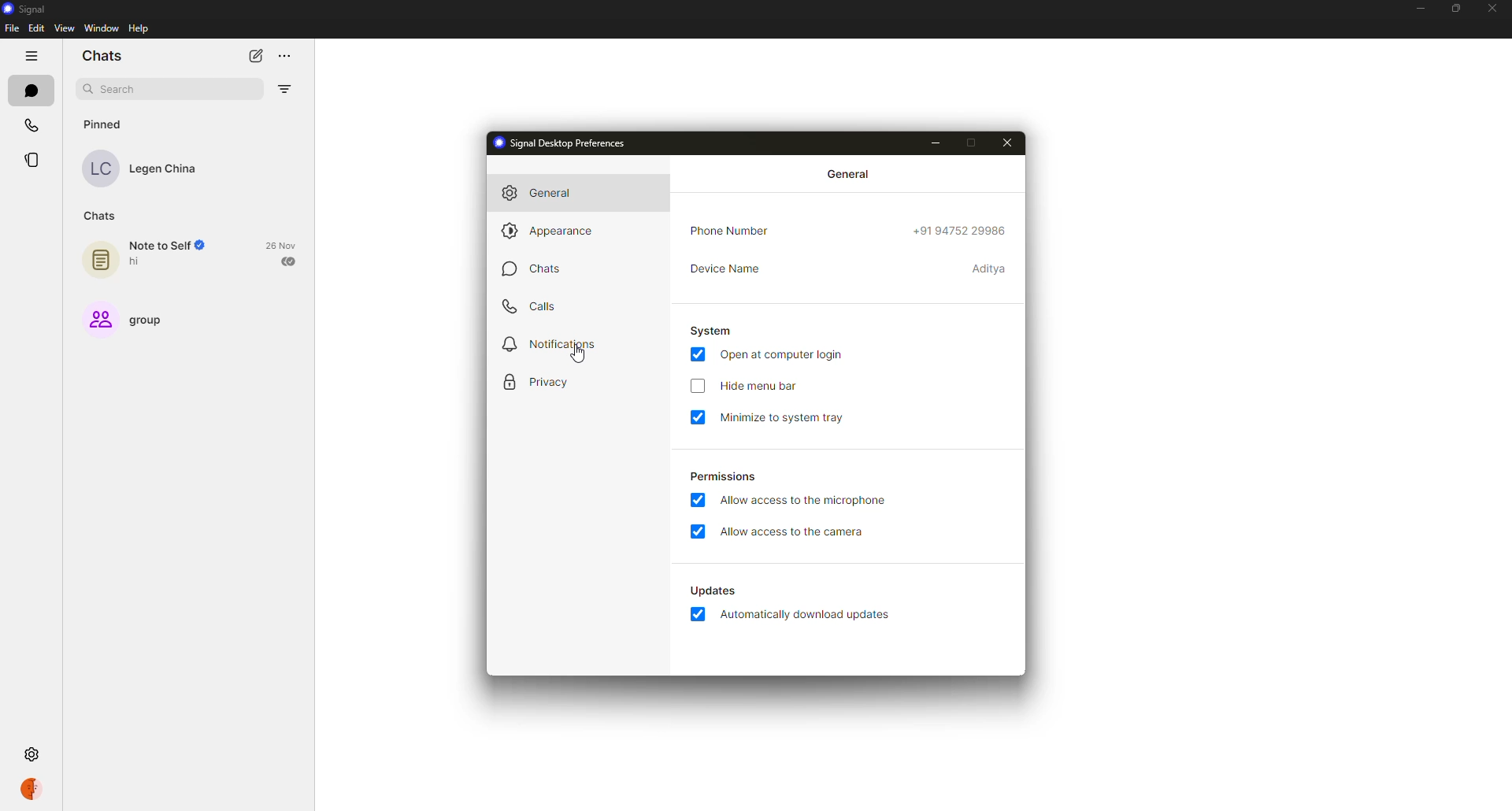 The width and height of the screenshot is (1512, 811). What do you see at coordinates (539, 380) in the screenshot?
I see `privacy` at bounding box center [539, 380].